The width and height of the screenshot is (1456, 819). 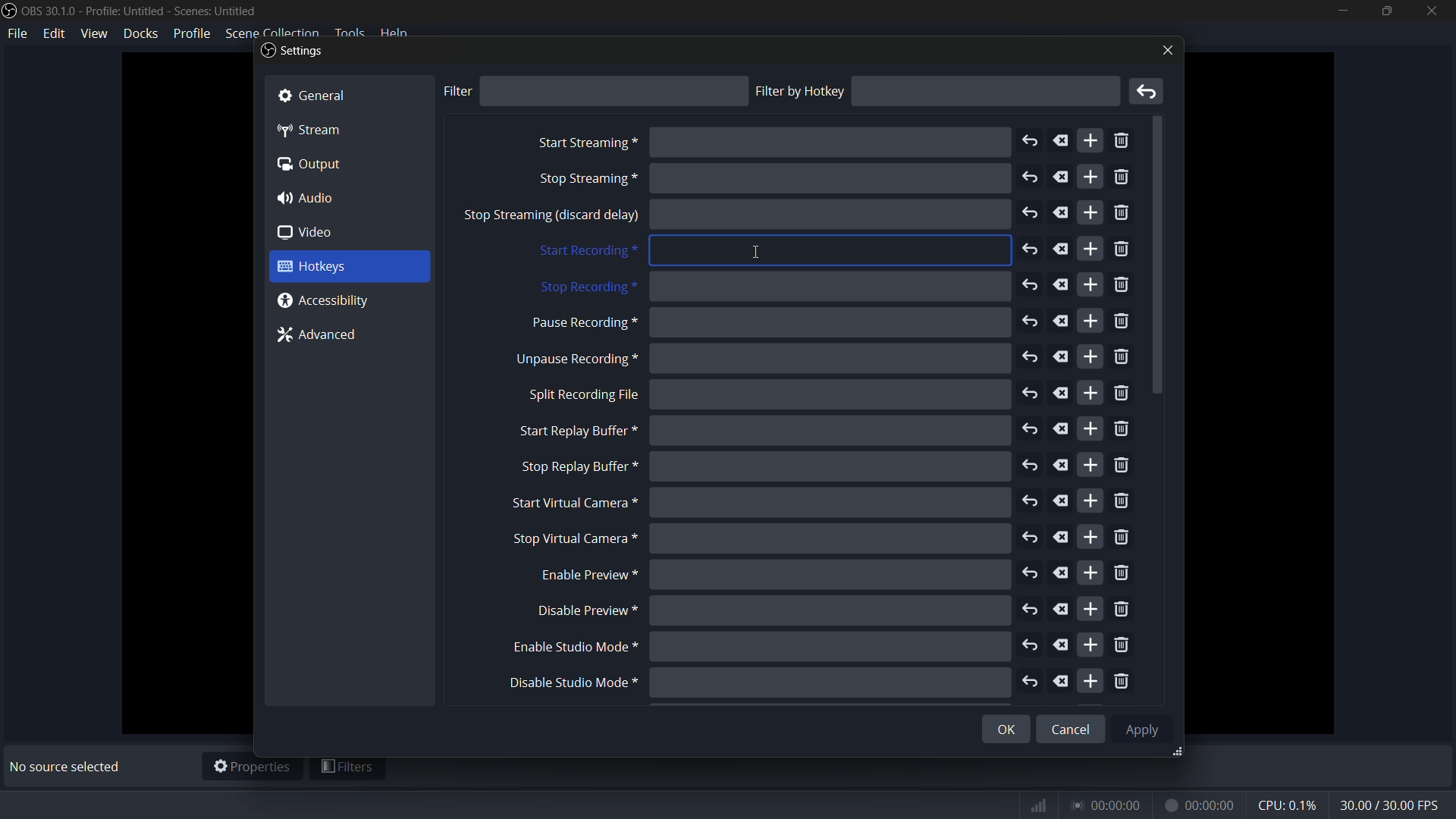 What do you see at coordinates (585, 180) in the screenshot?
I see `stop screaming` at bounding box center [585, 180].